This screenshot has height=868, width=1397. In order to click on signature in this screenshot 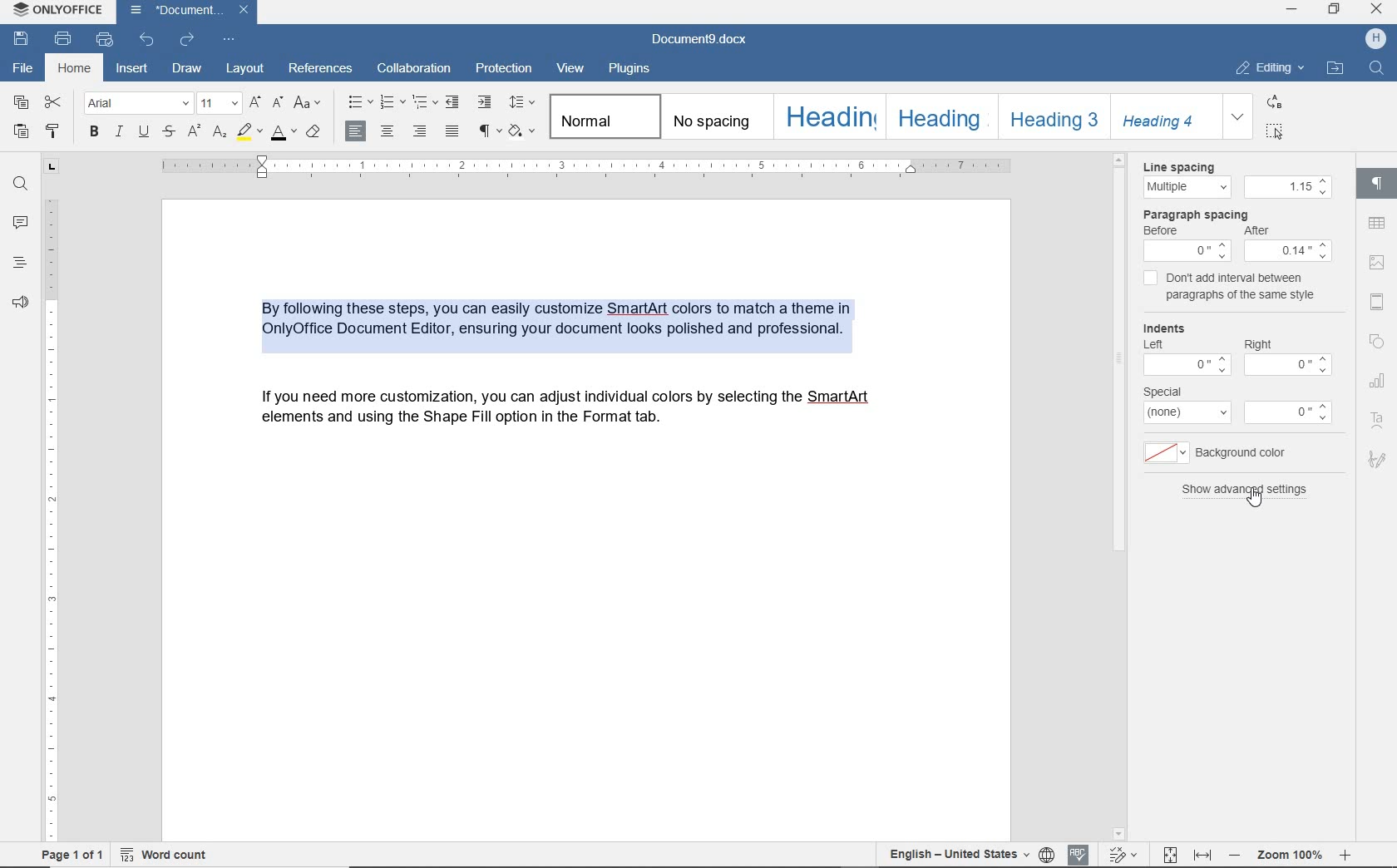, I will do `click(1376, 462)`.